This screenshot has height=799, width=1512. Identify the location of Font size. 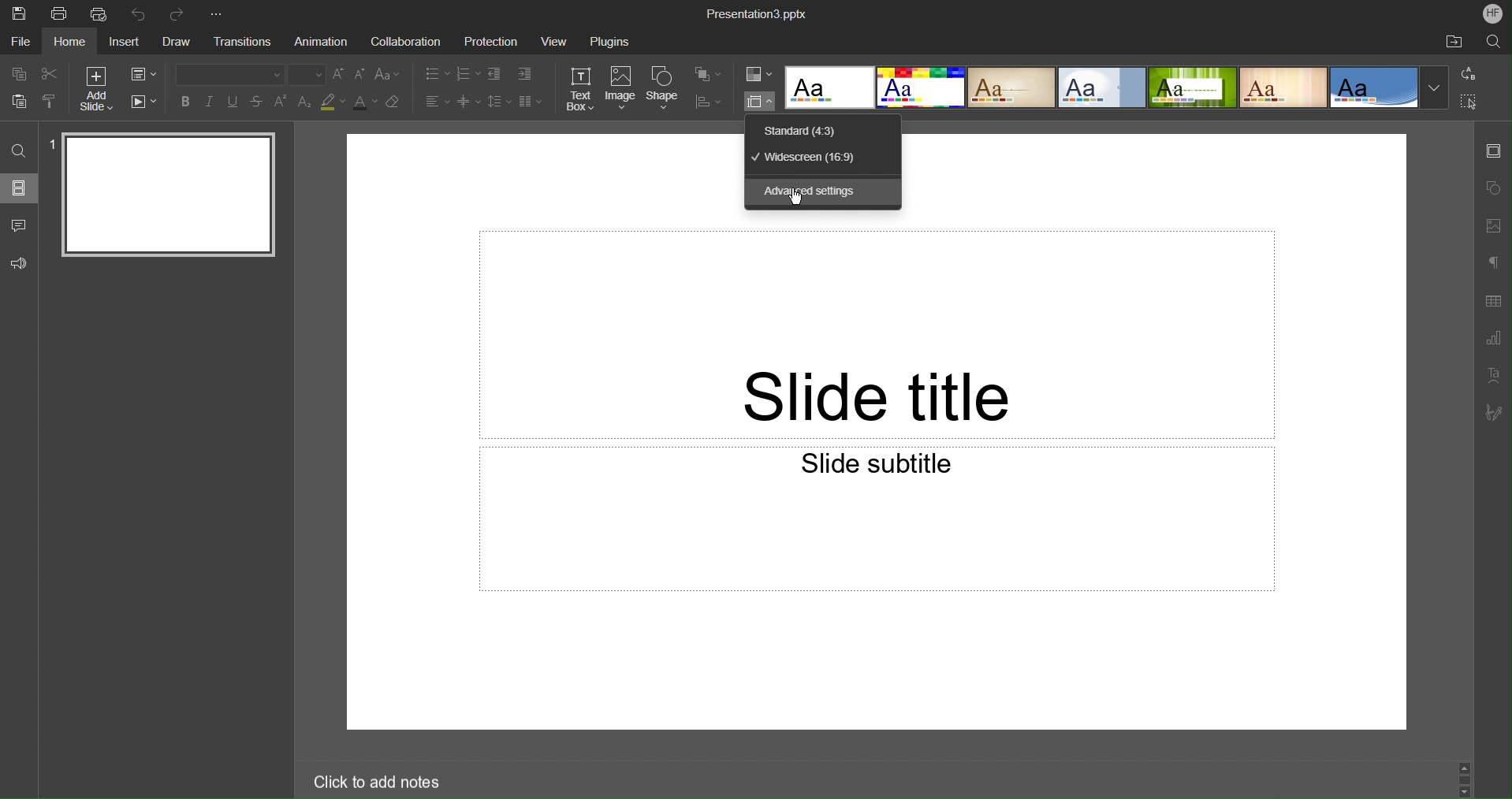
(307, 74).